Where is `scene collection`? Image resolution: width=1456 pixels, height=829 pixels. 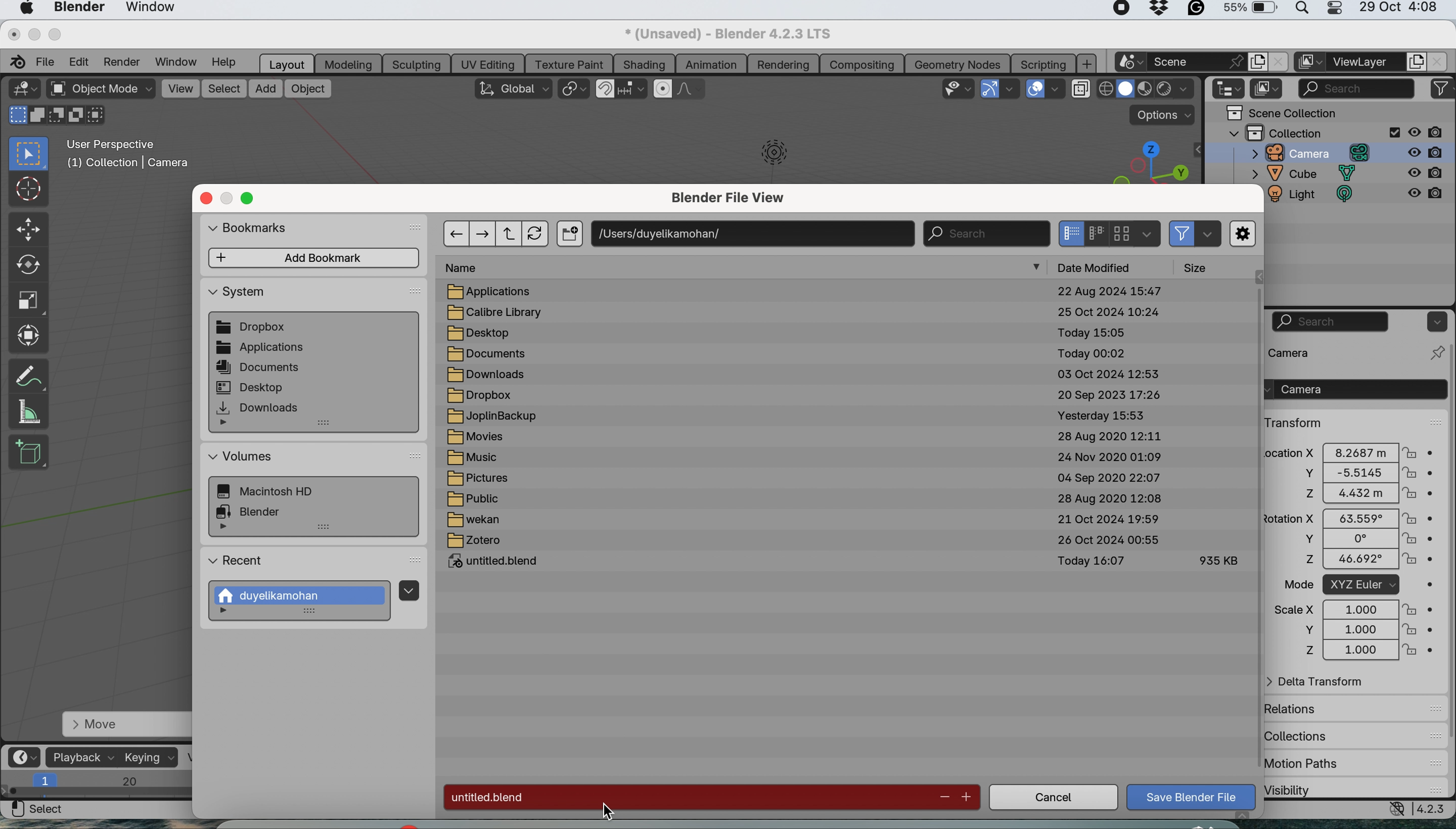
scene collection is located at coordinates (1282, 113).